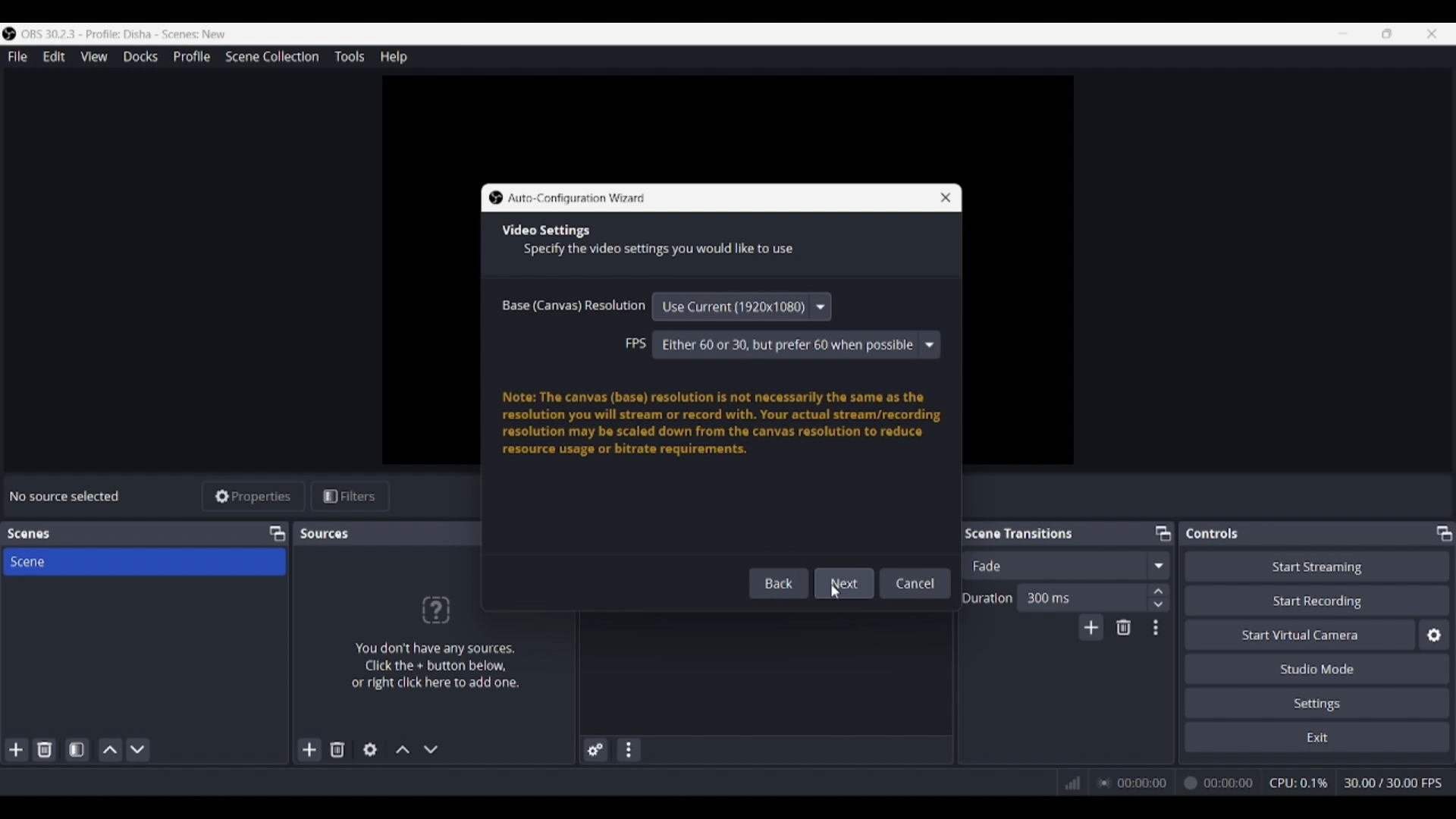 The image size is (1456, 819). Describe the element at coordinates (349, 56) in the screenshot. I see `Tools menu` at that location.